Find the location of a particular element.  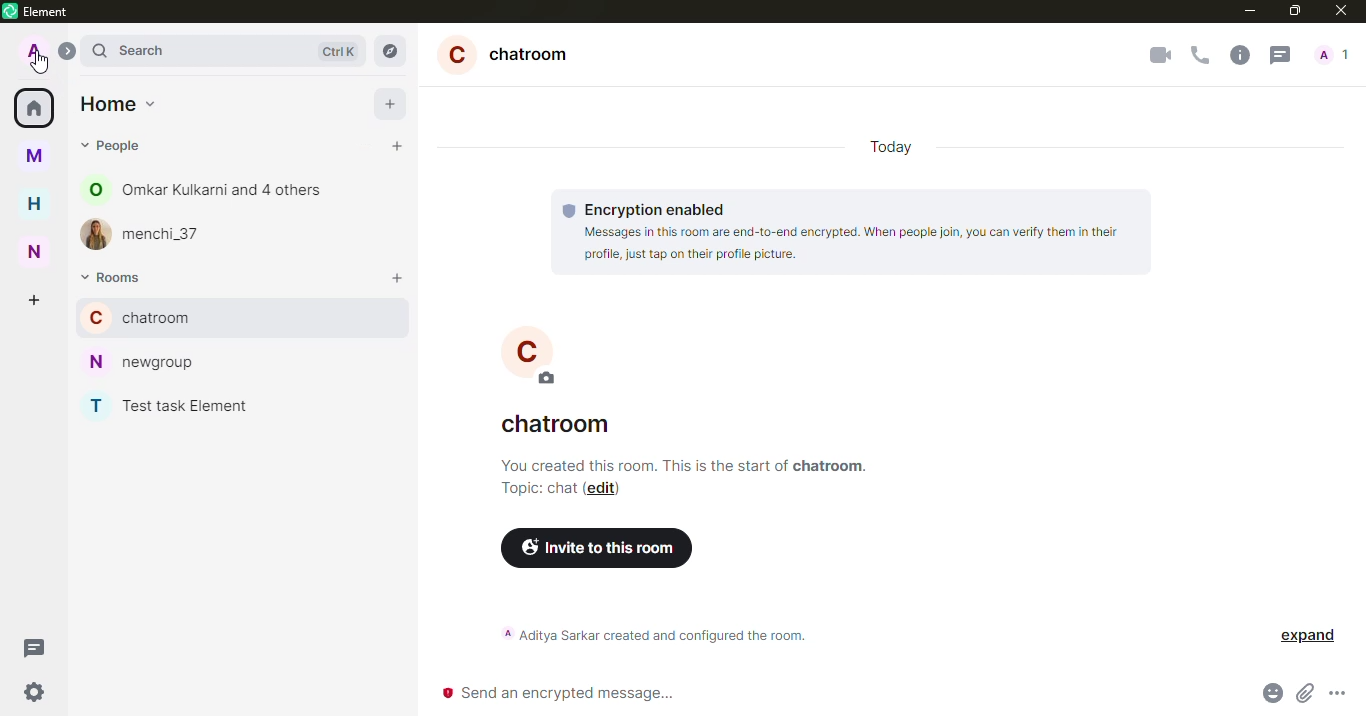

voice call is located at coordinates (1198, 54).